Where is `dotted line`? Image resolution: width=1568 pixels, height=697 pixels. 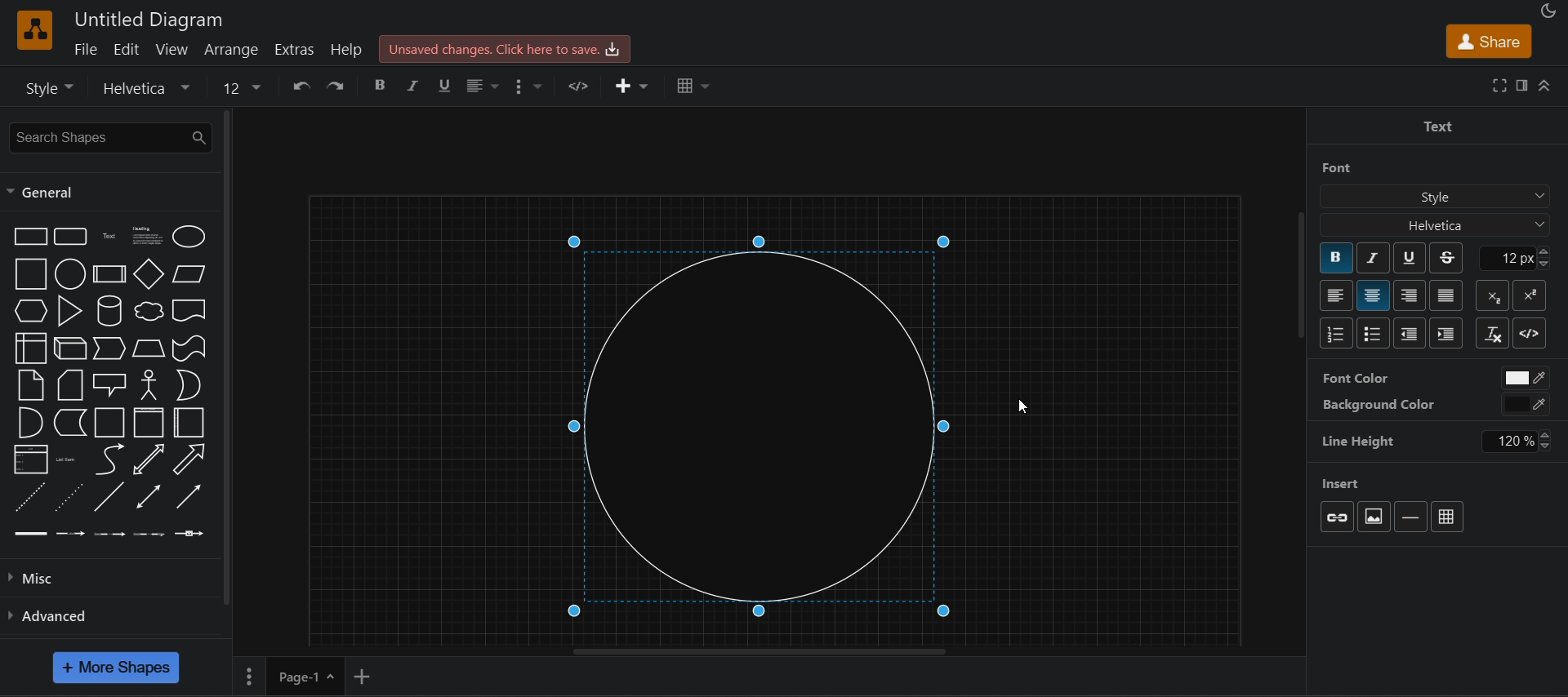 dotted line is located at coordinates (72, 499).